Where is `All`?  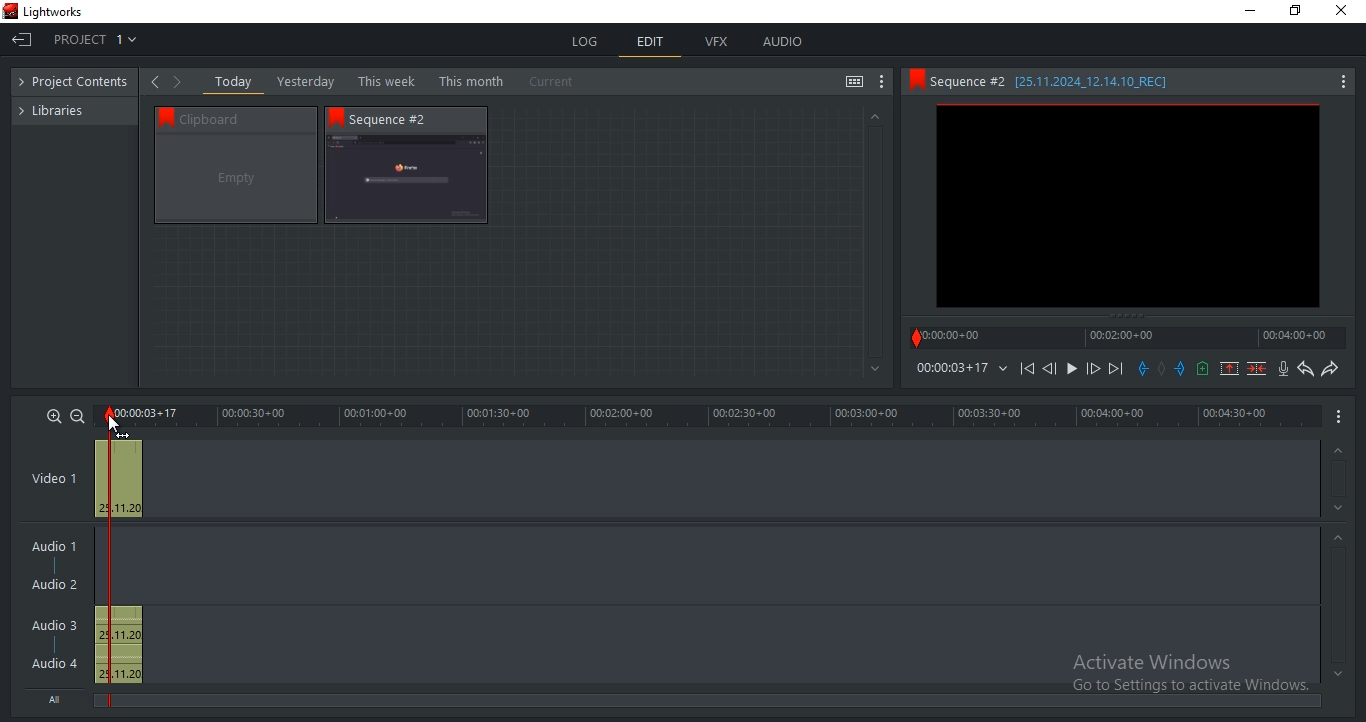
All is located at coordinates (59, 697).